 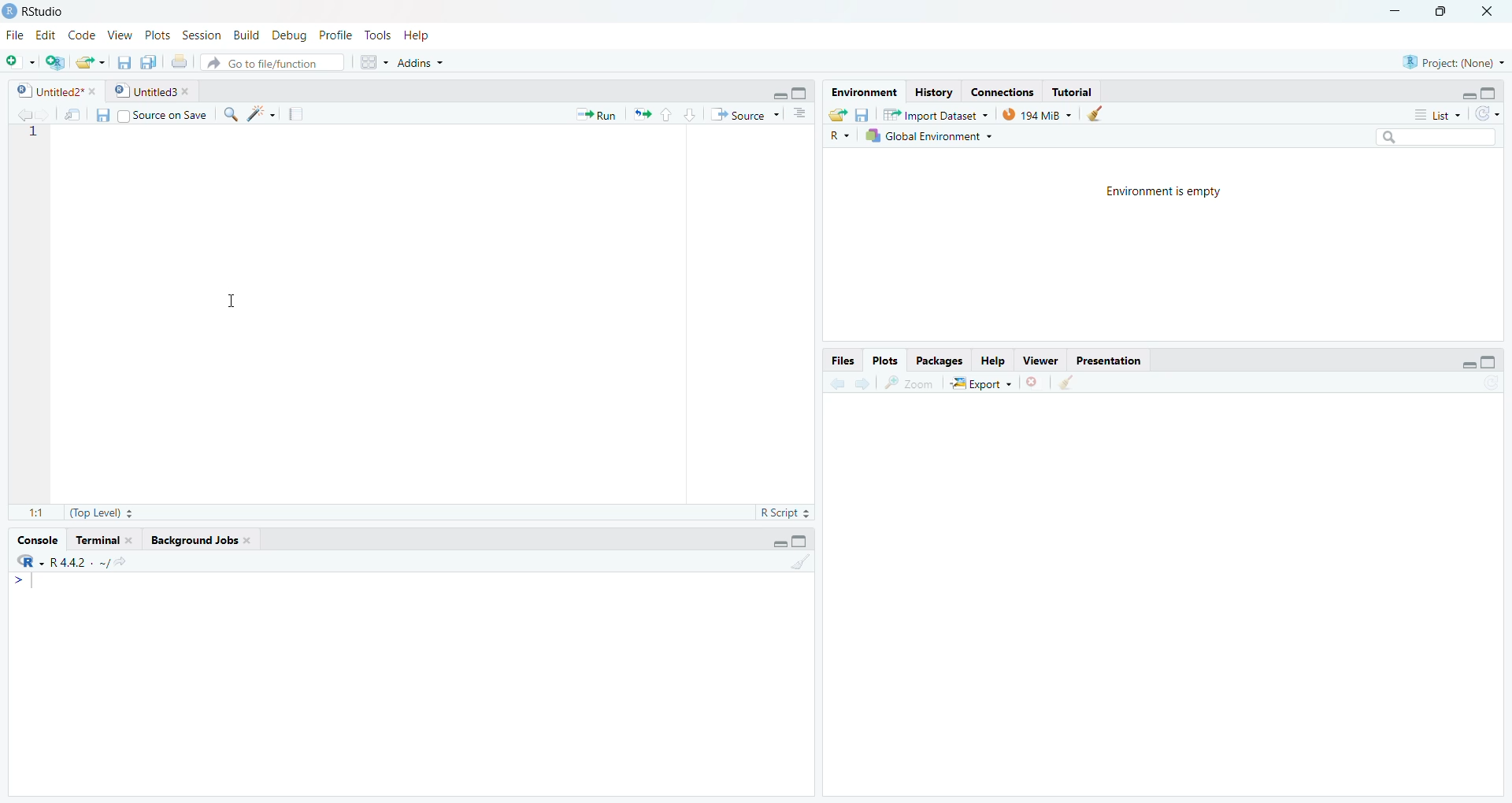 What do you see at coordinates (376, 35) in the screenshot?
I see `Tools` at bounding box center [376, 35].